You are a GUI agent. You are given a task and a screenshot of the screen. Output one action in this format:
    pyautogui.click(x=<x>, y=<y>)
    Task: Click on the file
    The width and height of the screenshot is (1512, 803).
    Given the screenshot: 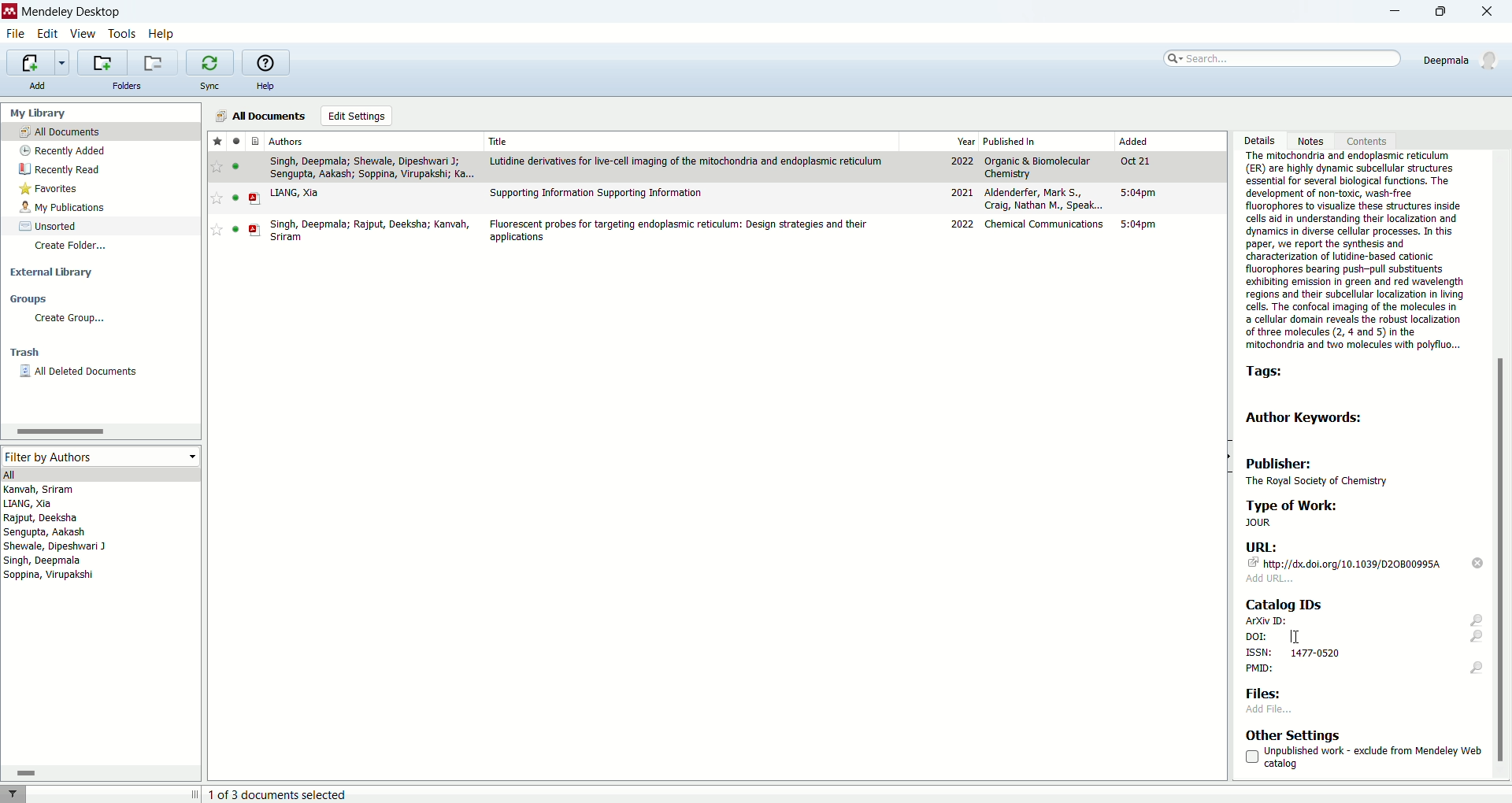 What is the action you would take?
    pyautogui.click(x=16, y=35)
    